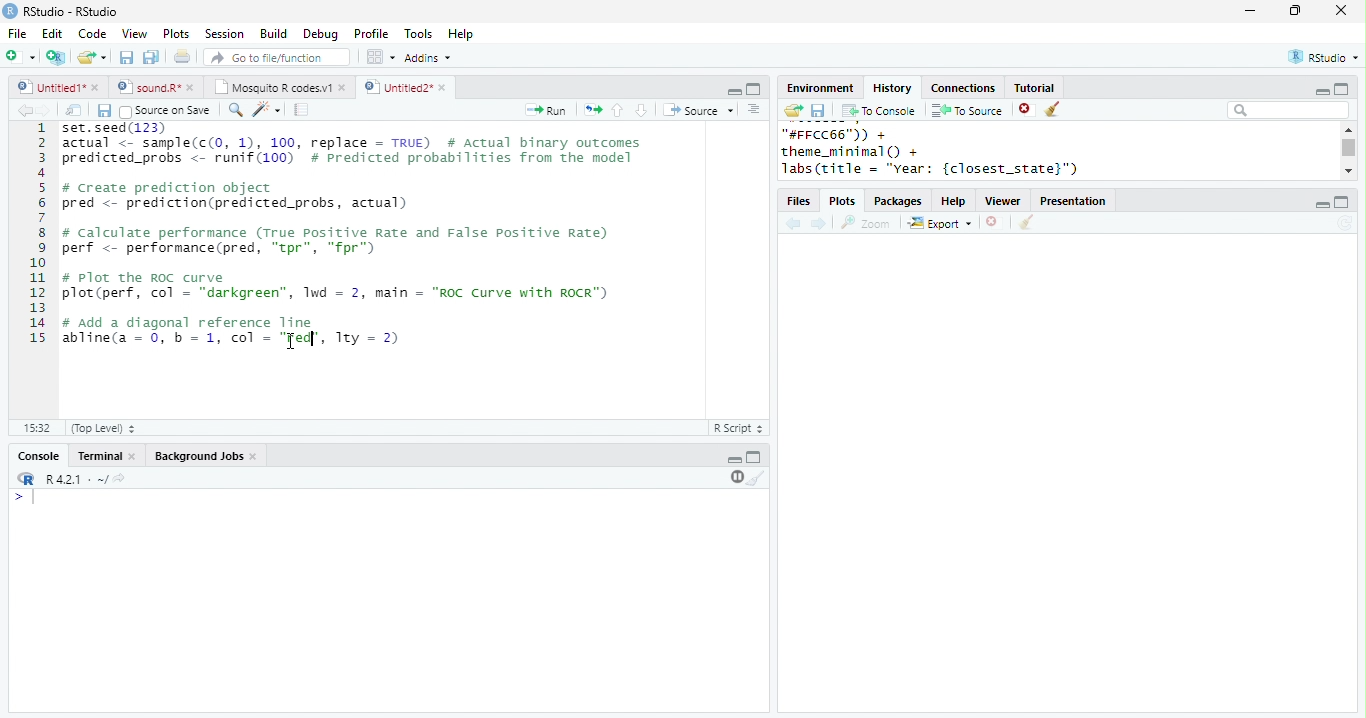  I want to click on save all, so click(151, 57).